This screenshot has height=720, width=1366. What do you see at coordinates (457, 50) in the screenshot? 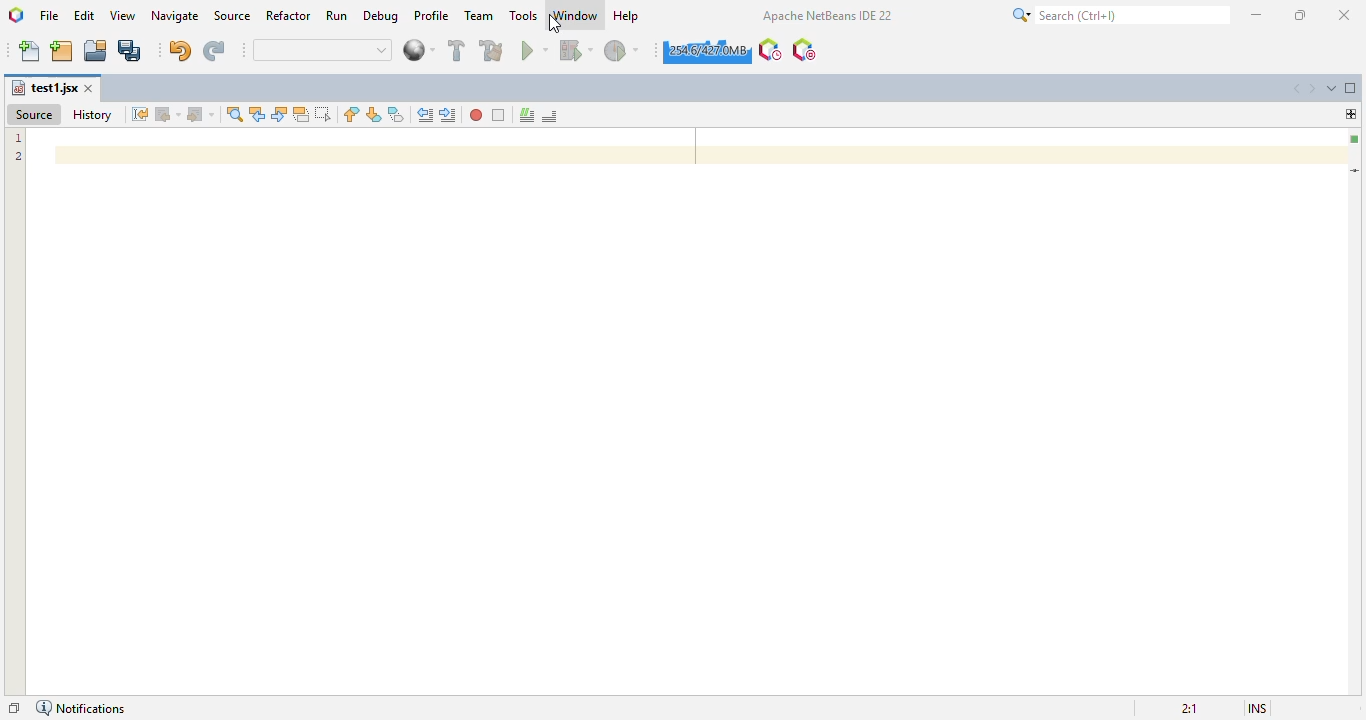
I see `build project` at bounding box center [457, 50].